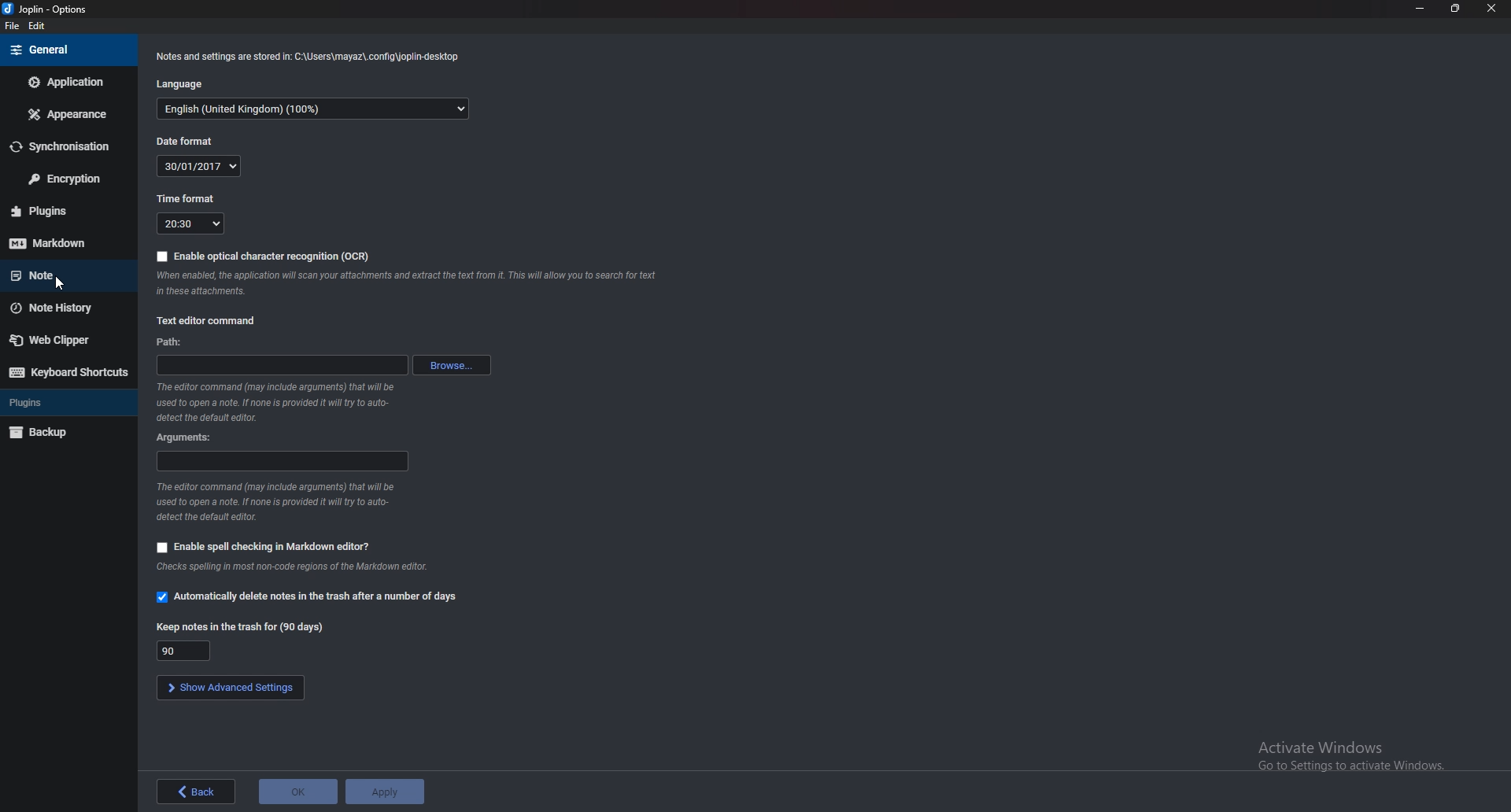 This screenshot has height=812, width=1511. What do you see at coordinates (60, 285) in the screenshot?
I see `cursor` at bounding box center [60, 285].